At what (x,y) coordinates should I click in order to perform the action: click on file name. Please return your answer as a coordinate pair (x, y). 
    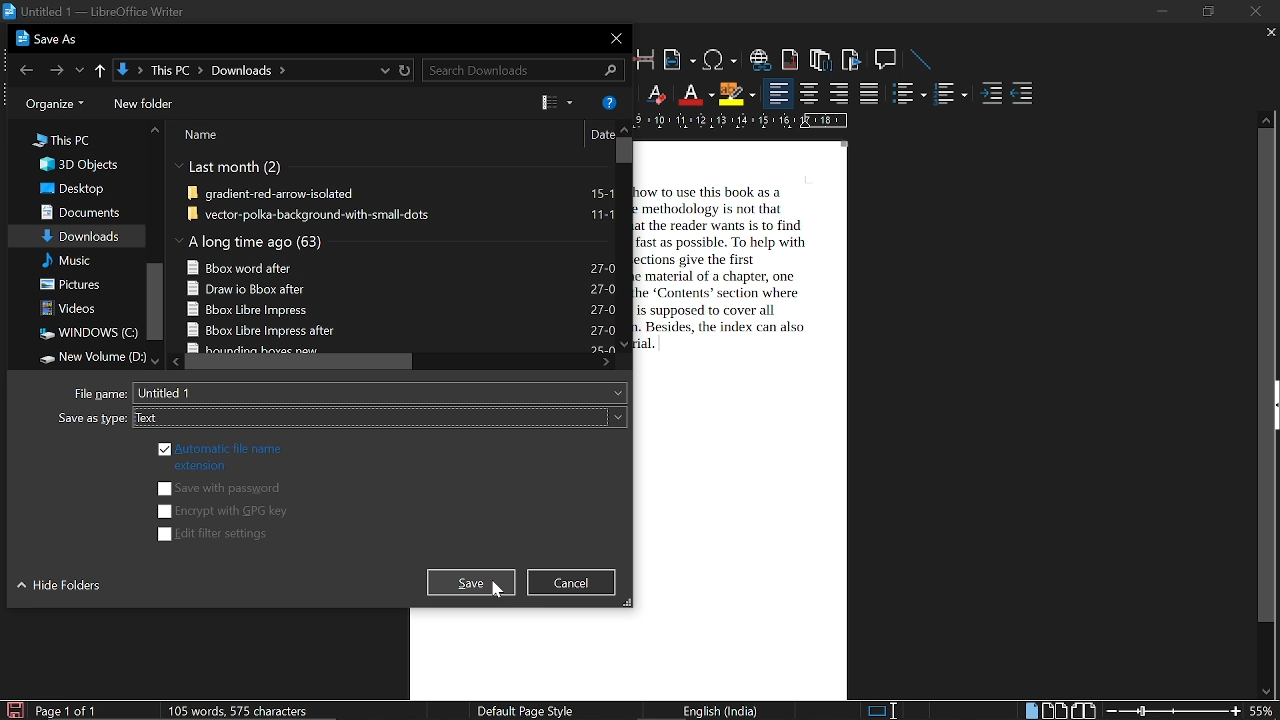
    Looking at the image, I should click on (384, 392).